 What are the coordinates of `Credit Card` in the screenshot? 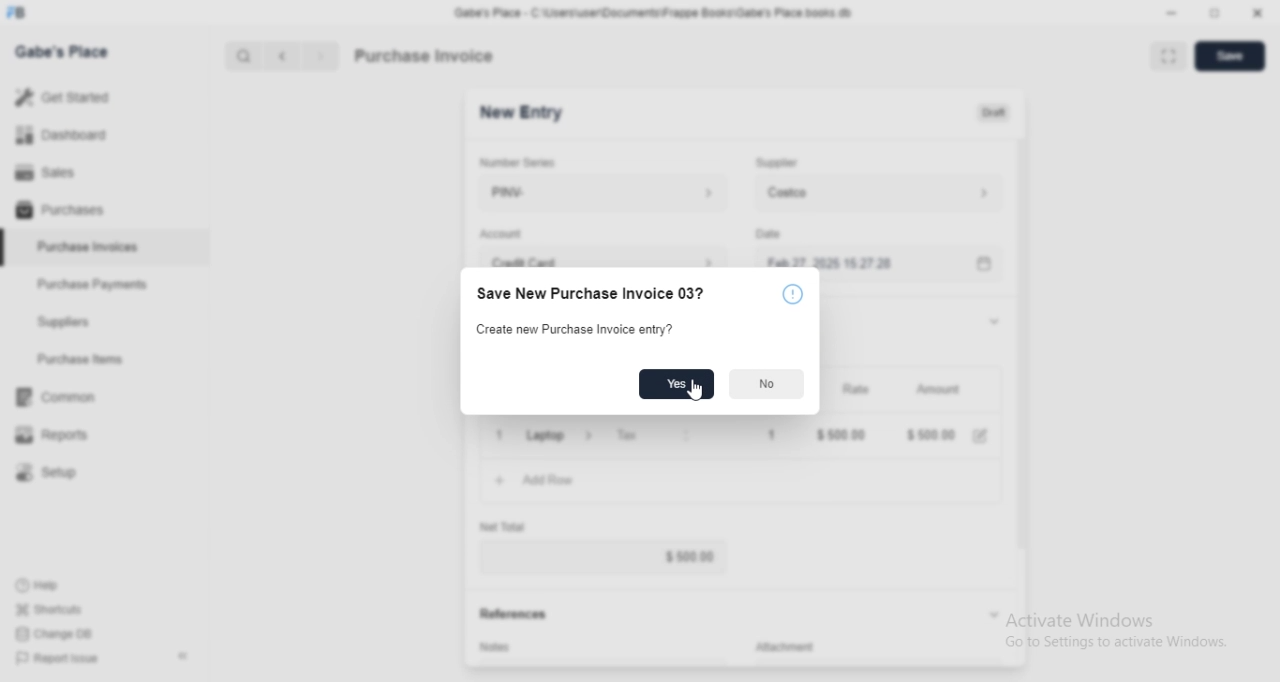 It's located at (603, 256).